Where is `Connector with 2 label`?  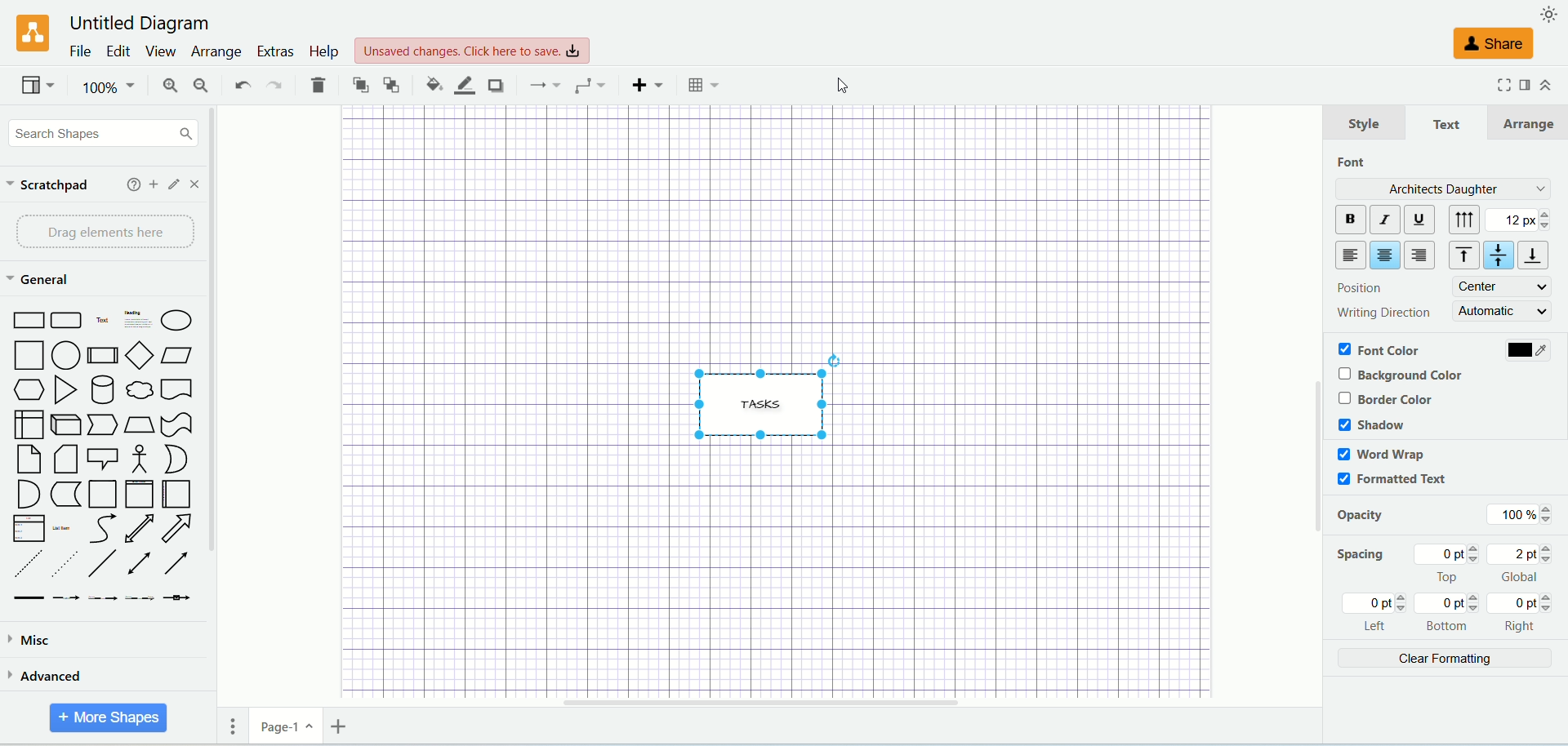 Connector with 2 label is located at coordinates (102, 599).